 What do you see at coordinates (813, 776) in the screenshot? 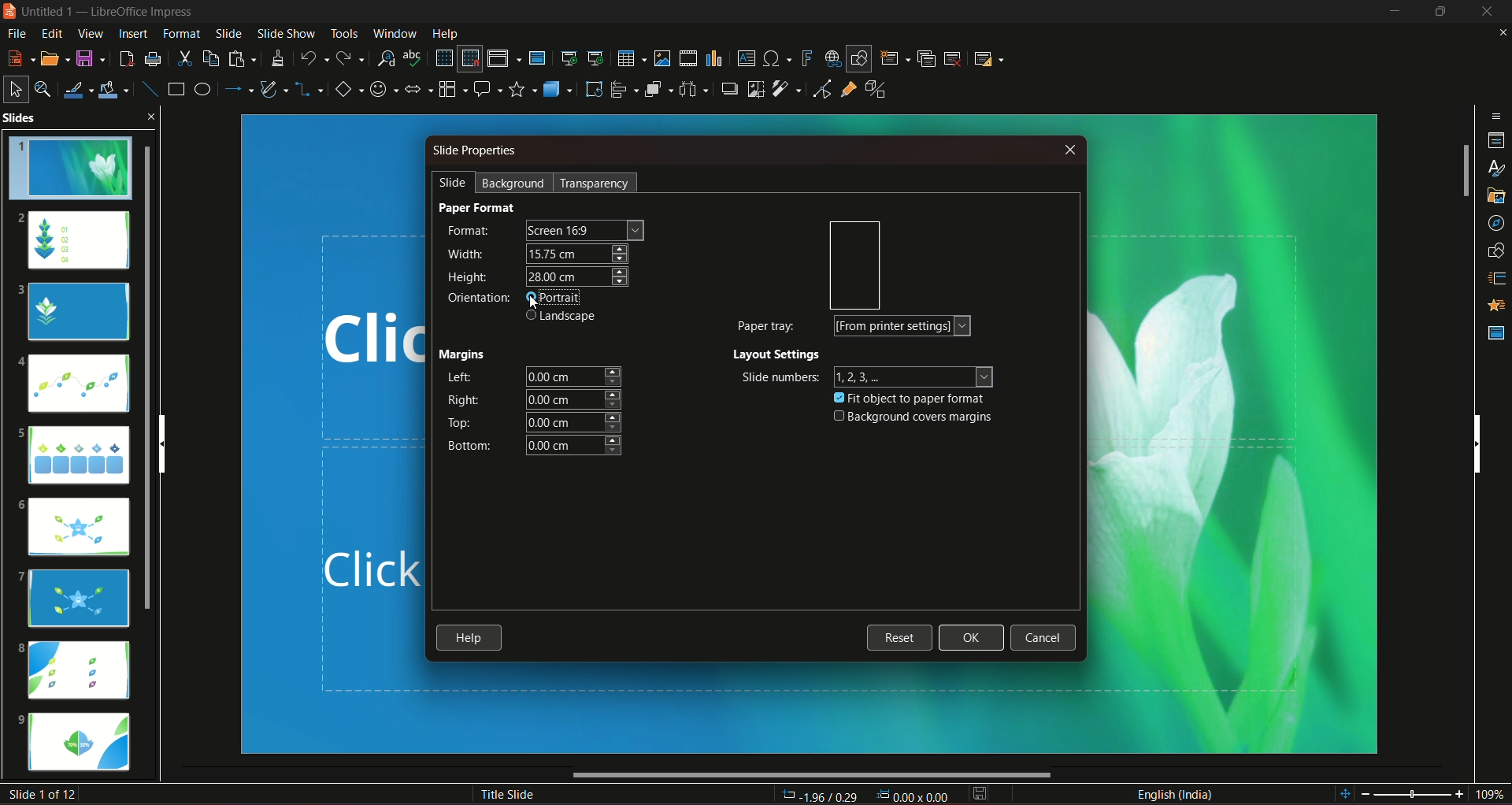
I see `horizontal scroll bar` at bounding box center [813, 776].